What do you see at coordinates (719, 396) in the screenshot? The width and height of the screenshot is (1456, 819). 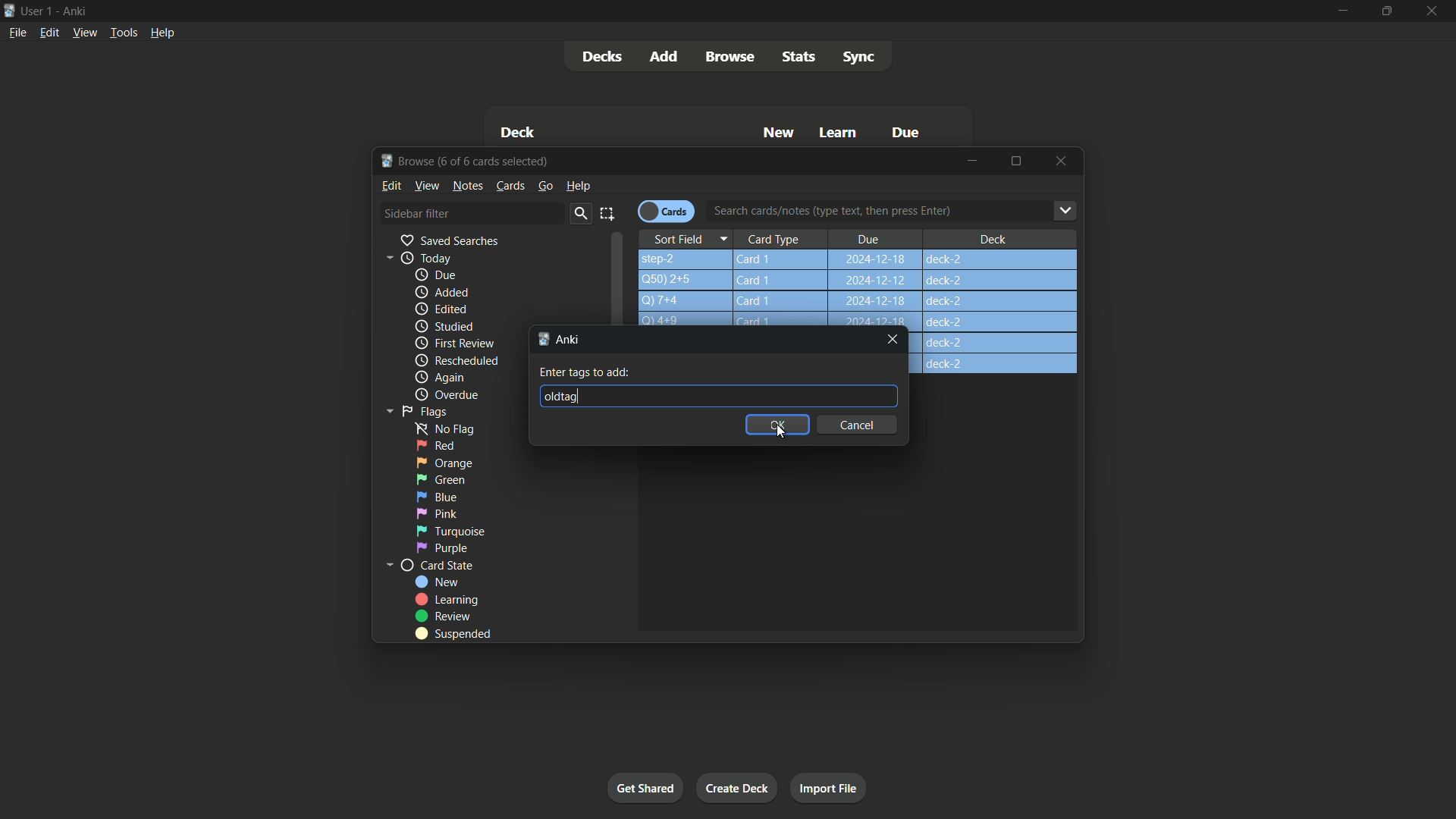 I see `Oldtag` at bounding box center [719, 396].